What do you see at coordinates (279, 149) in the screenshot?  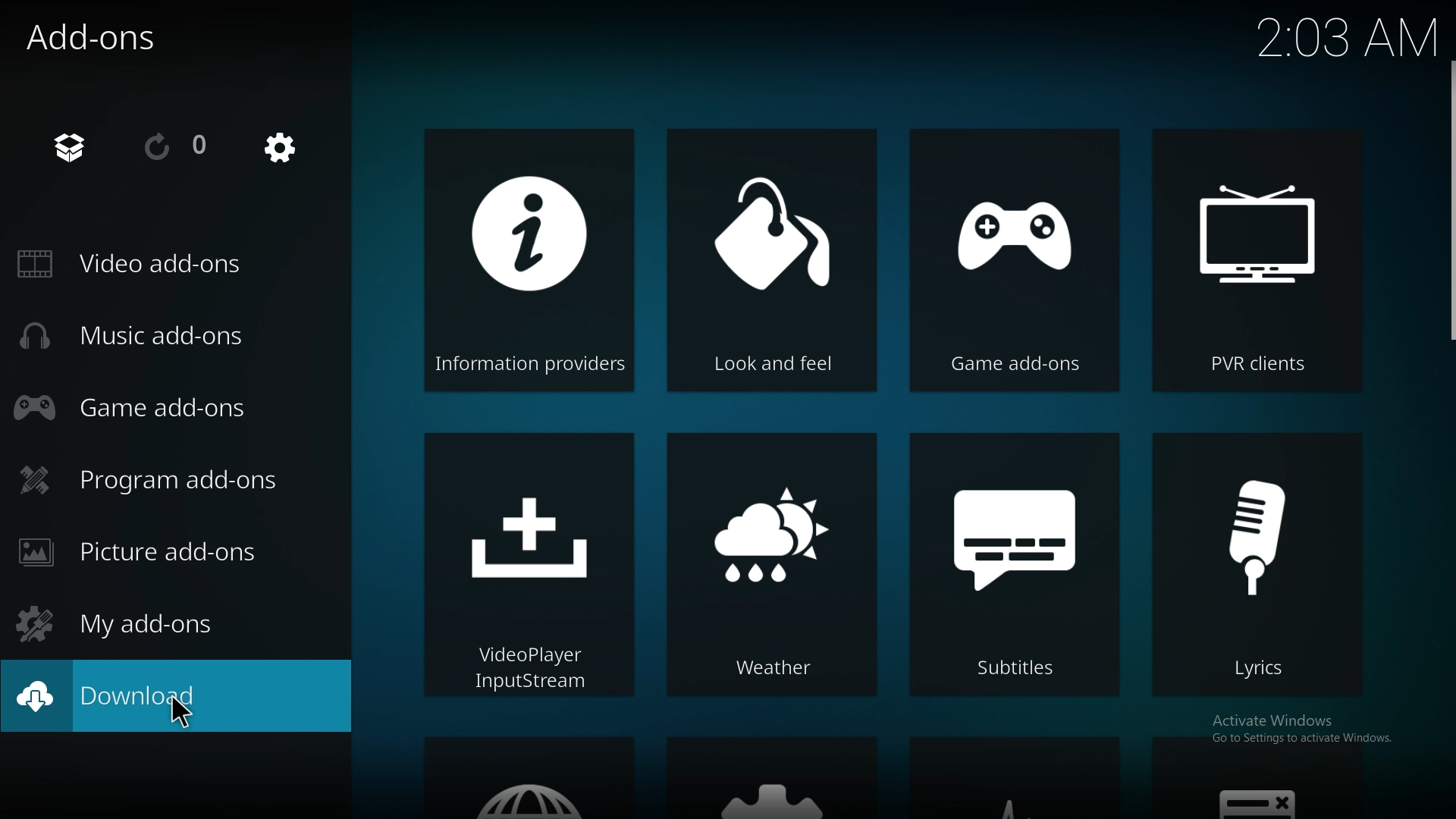 I see `settings` at bounding box center [279, 149].